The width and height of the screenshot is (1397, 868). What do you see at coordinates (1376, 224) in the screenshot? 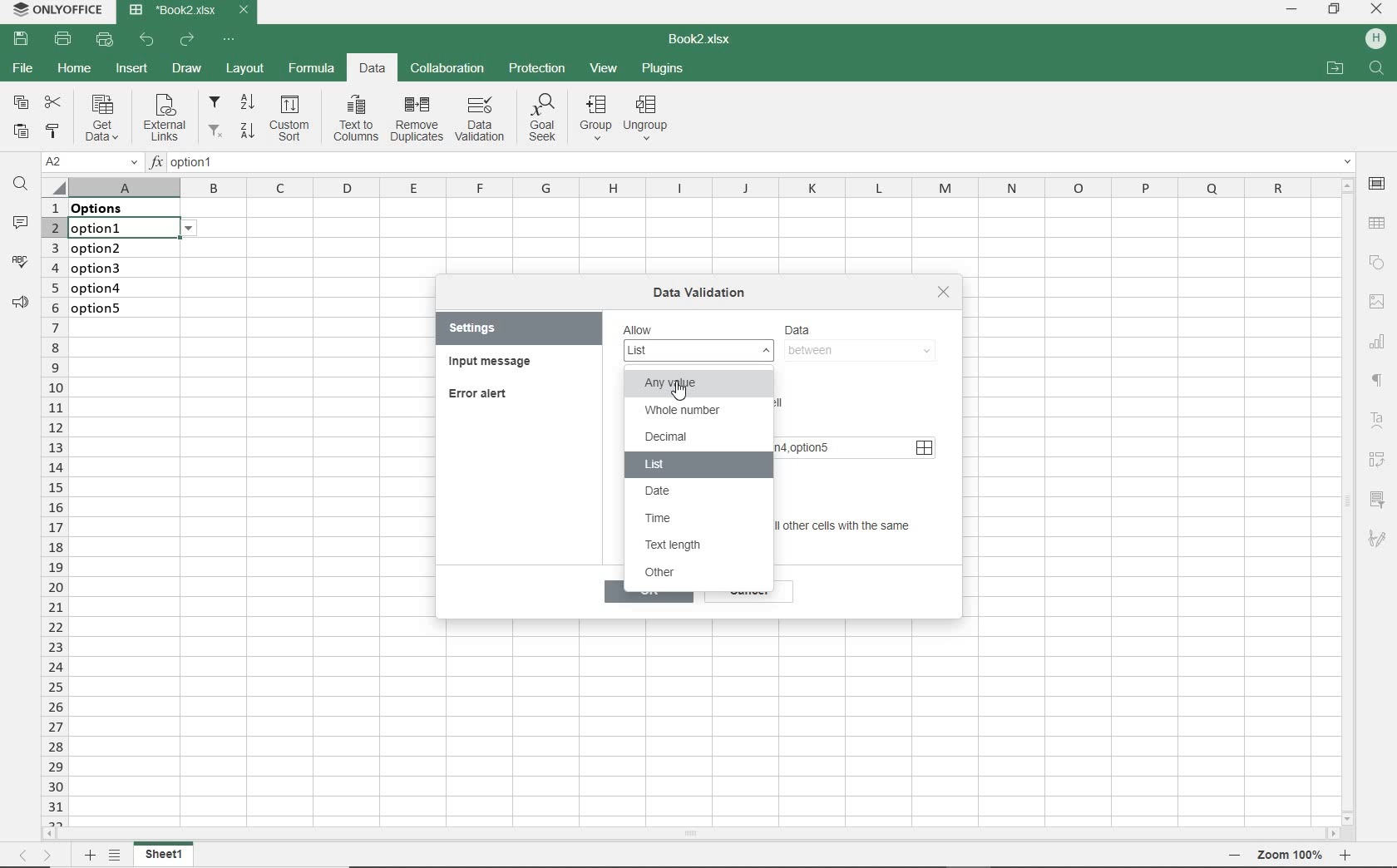
I see `TABLE` at bounding box center [1376, 224].